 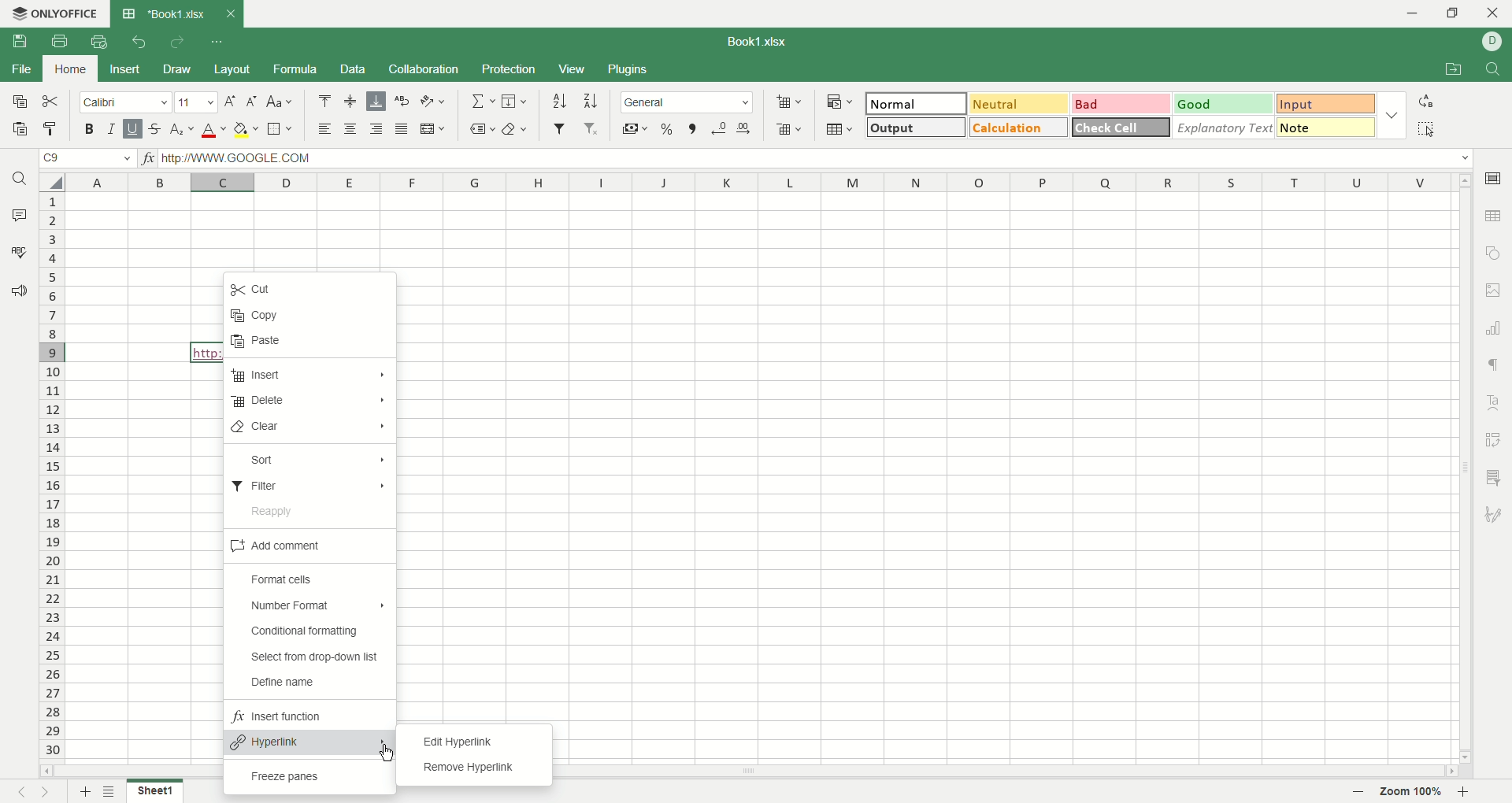 I want to click on replace, so click(x=1425, y=100).